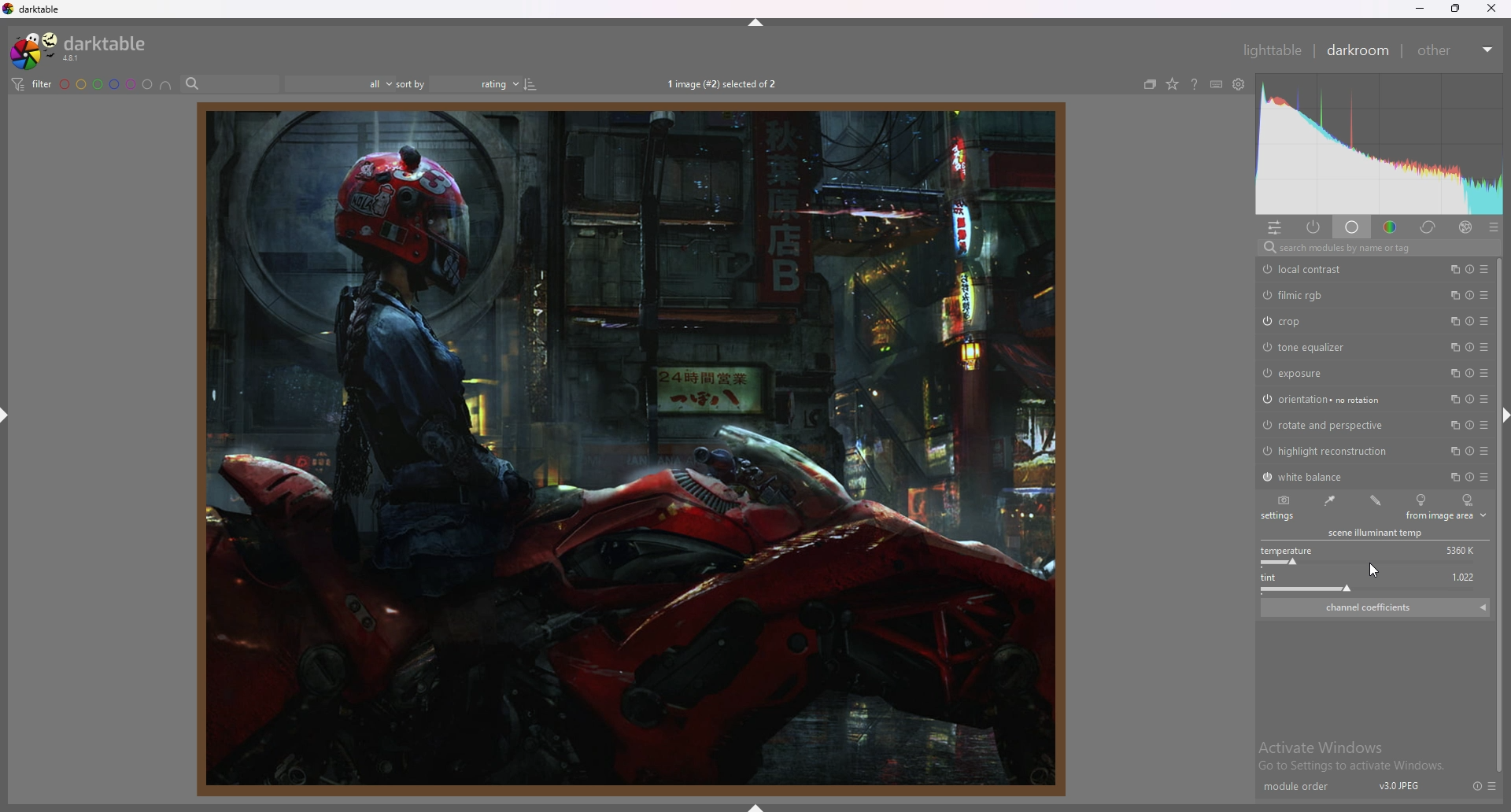 The width and height of the screenshot is (1511, 812). What do you see at coordinates (1451, 477) in the screenshot?
I see `multiple instances action` at bounding box center [1451, 477].